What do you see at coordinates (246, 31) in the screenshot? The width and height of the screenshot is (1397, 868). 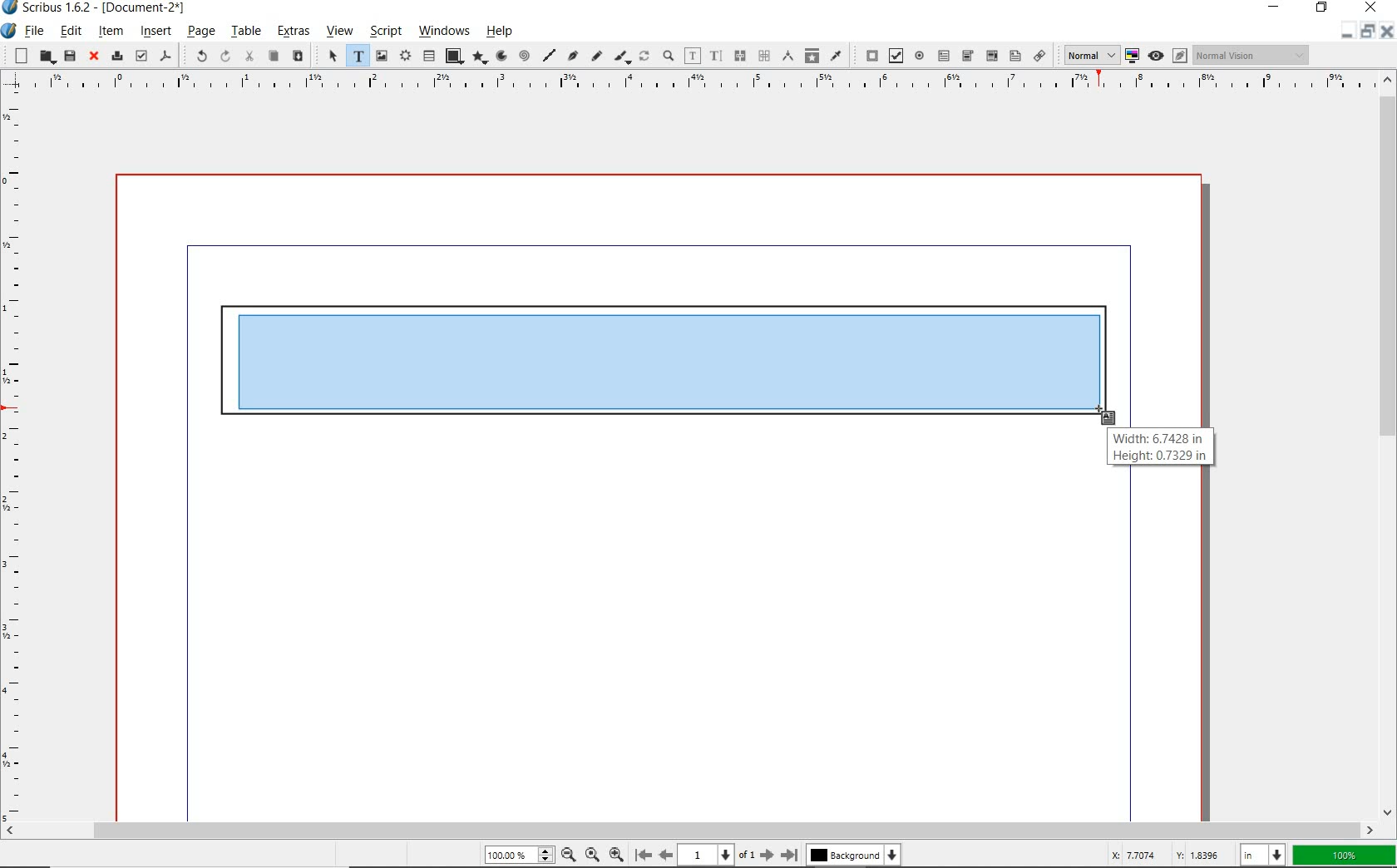 I see `table` at bounding box center [246, 31].